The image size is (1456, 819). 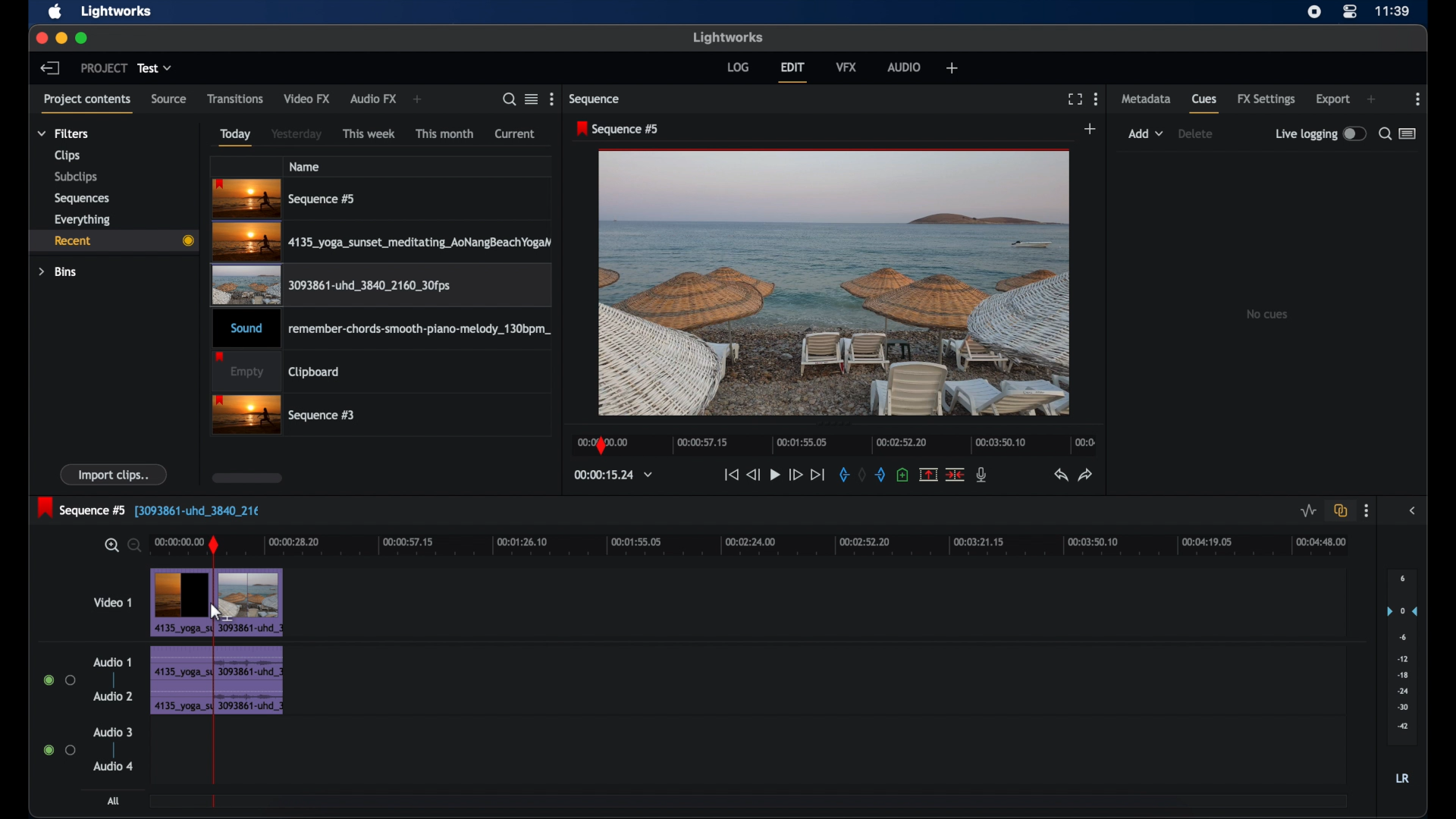 I want to click on audio clip, so click(x=252, y=679).